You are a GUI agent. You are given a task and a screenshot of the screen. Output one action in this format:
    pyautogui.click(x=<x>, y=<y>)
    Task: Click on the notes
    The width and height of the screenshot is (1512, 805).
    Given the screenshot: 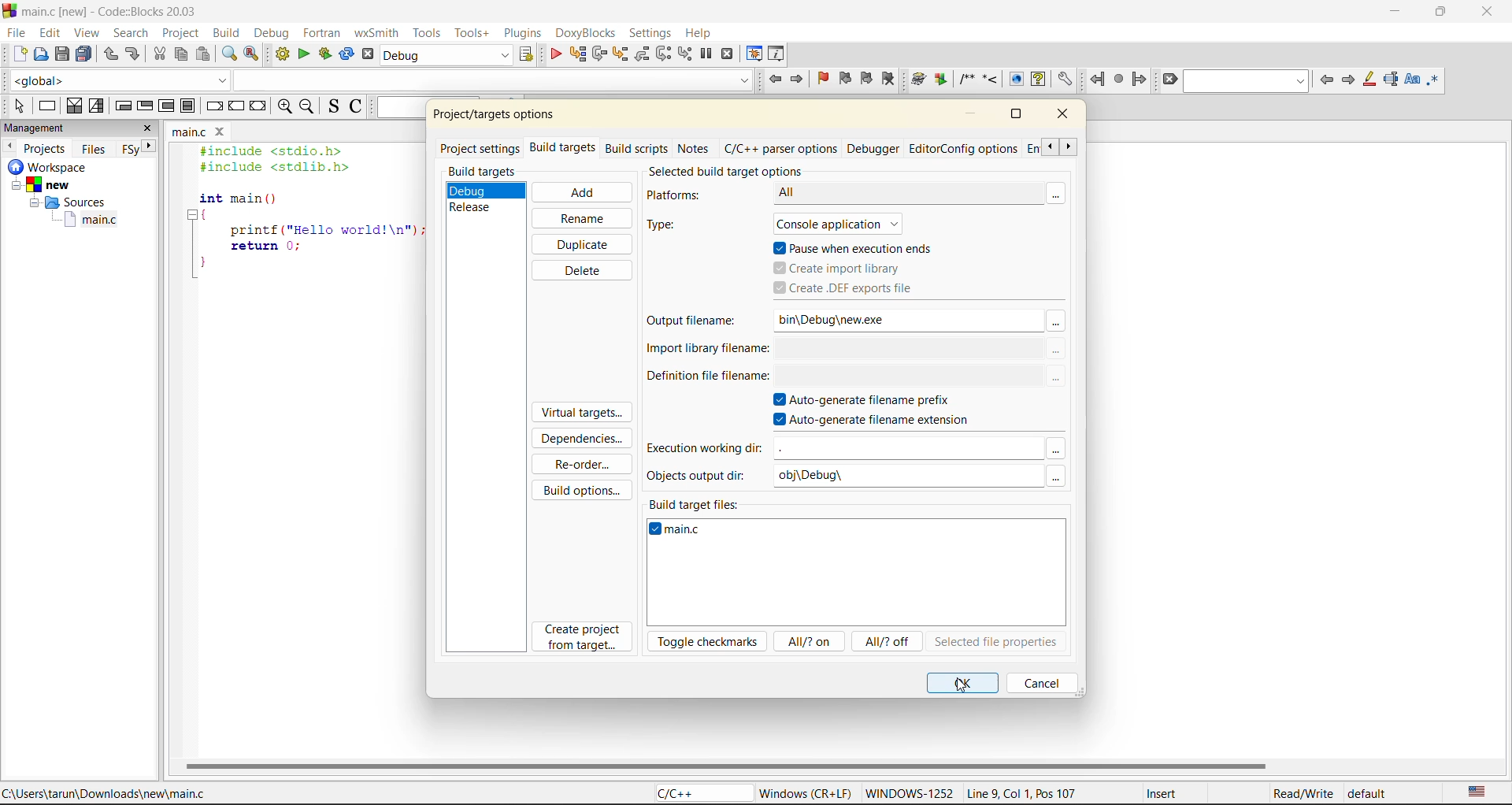 What is the action you would take?
    pyautogui.click(x=695, y=147)
    